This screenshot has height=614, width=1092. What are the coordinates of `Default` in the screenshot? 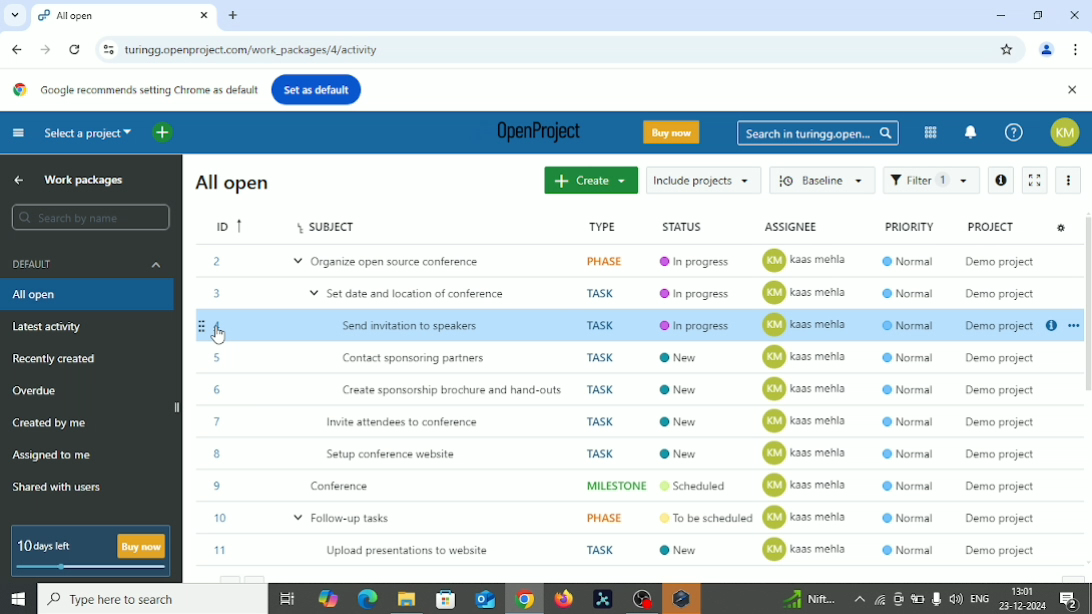 It's located at (90, 263).